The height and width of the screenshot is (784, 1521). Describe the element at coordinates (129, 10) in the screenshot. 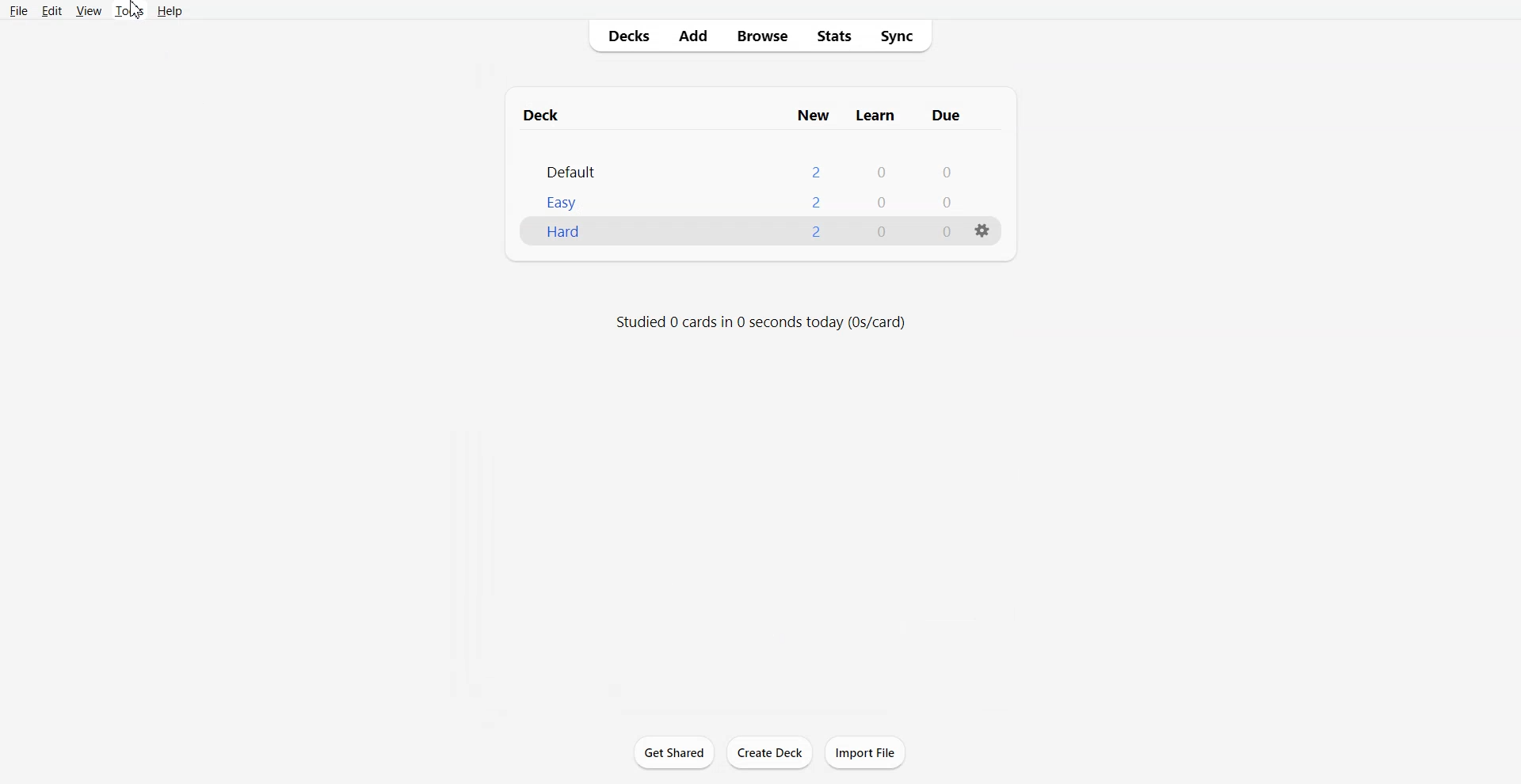

I see `Tools` at that location.